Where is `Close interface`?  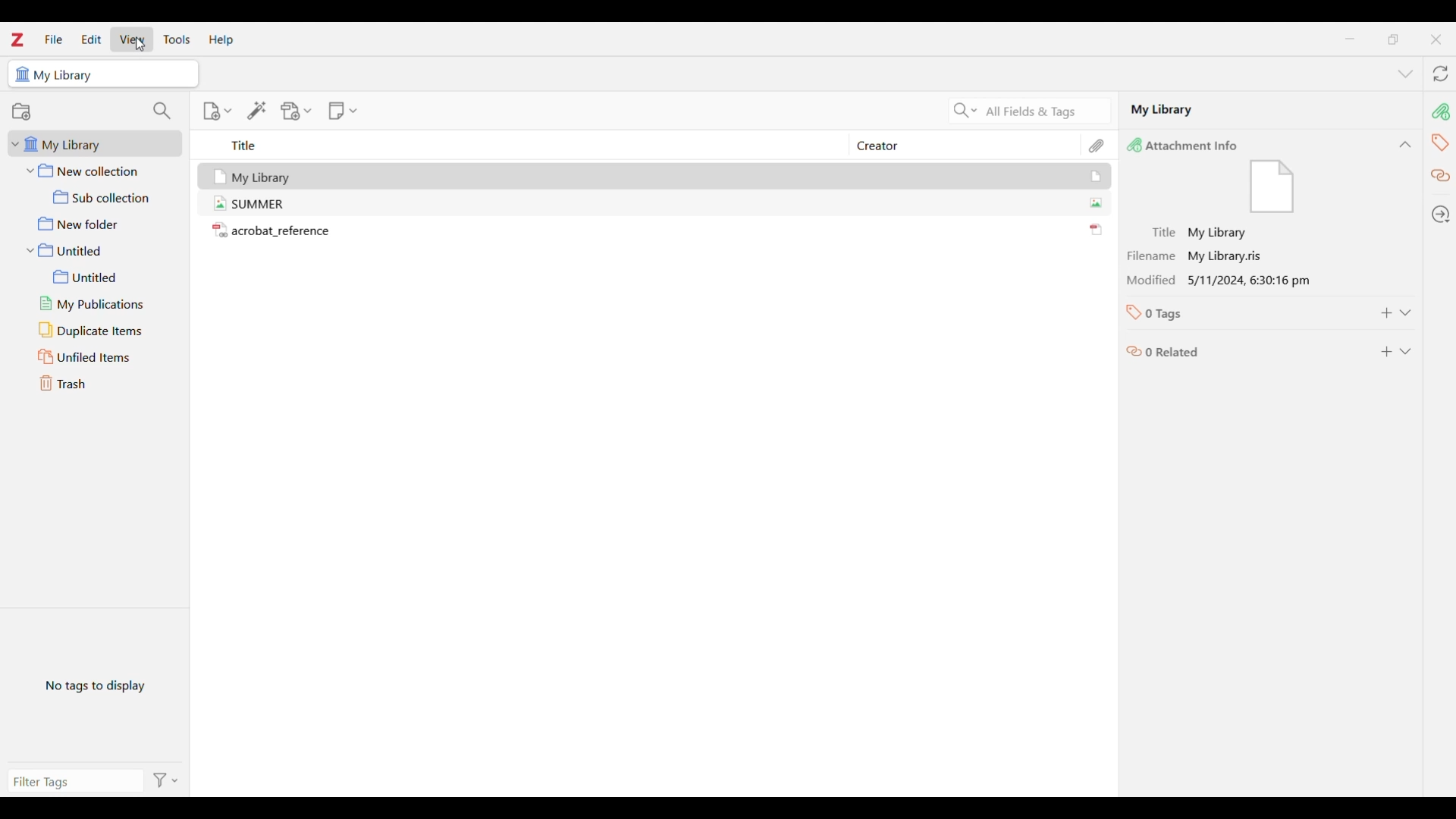 Close interface is located at coordinates (1436, 39).